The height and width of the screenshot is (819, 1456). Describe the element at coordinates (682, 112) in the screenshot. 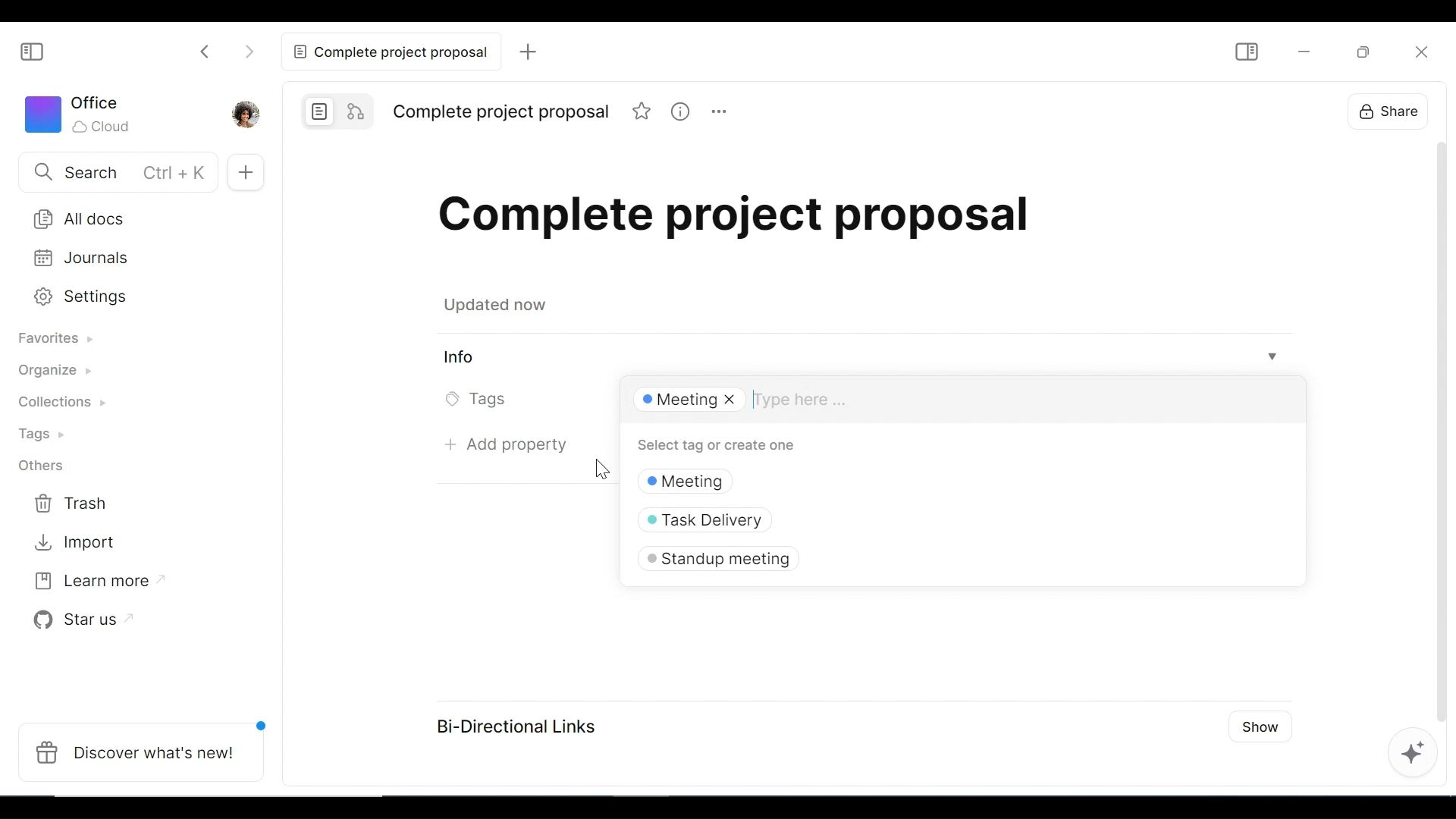

I see `information` at that location.